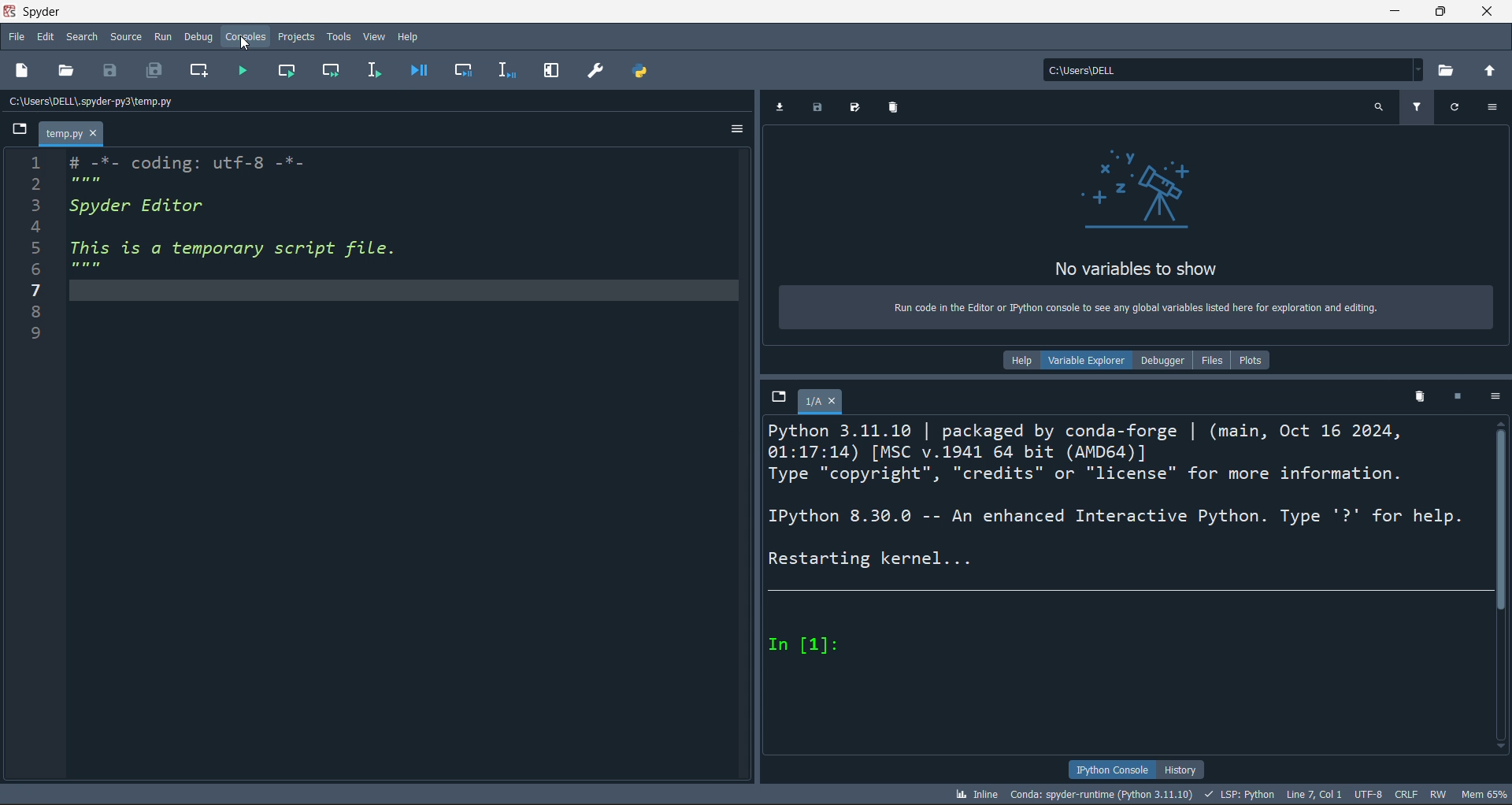 The height and width of the screenshot is (805, 1512). Describe the element at coordinates (1135, 191) in the screenshot. I see `telescope` at that location.